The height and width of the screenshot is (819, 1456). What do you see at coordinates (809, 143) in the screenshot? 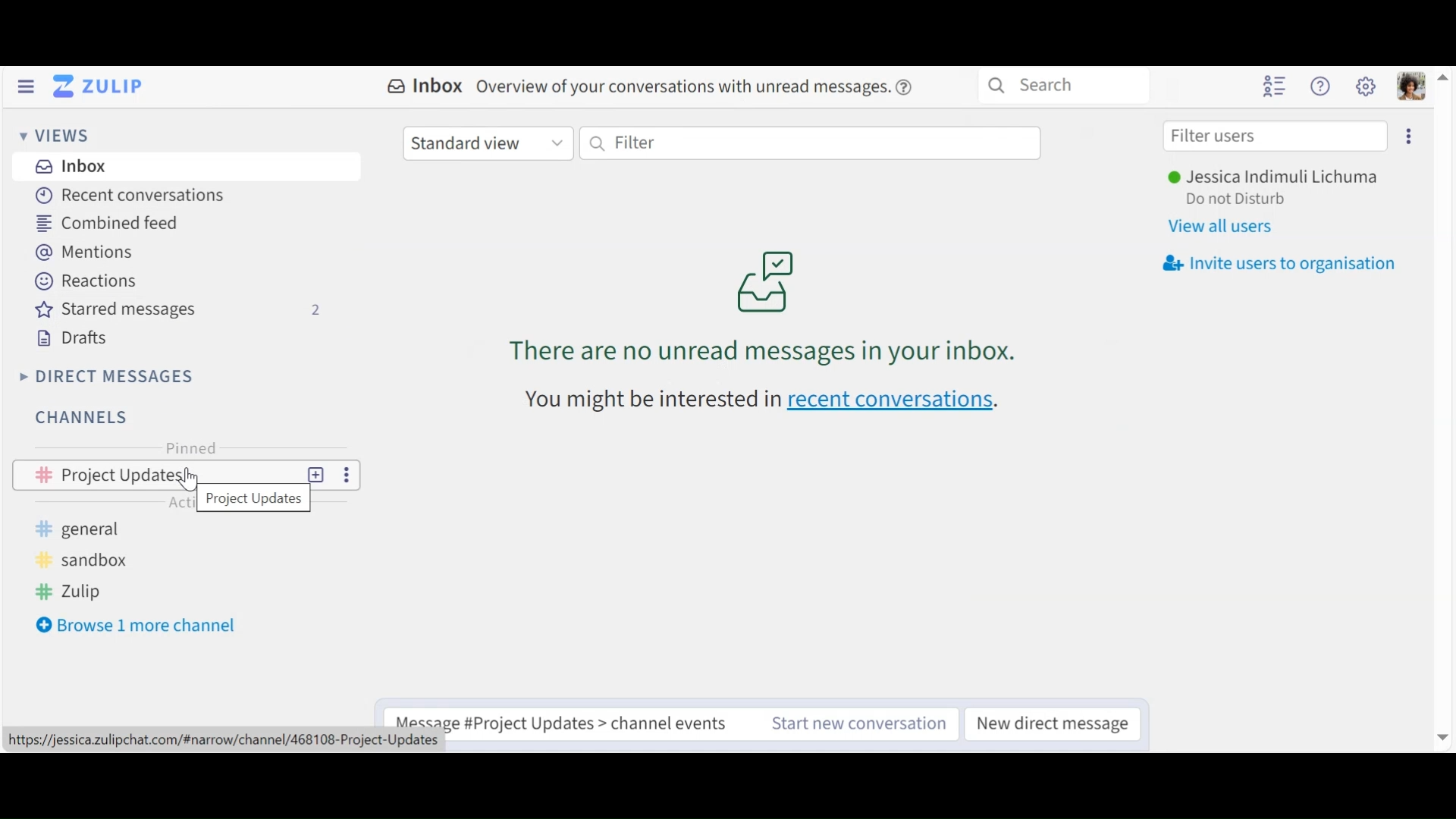
I see `Filter` at bounding box center [809, 143].